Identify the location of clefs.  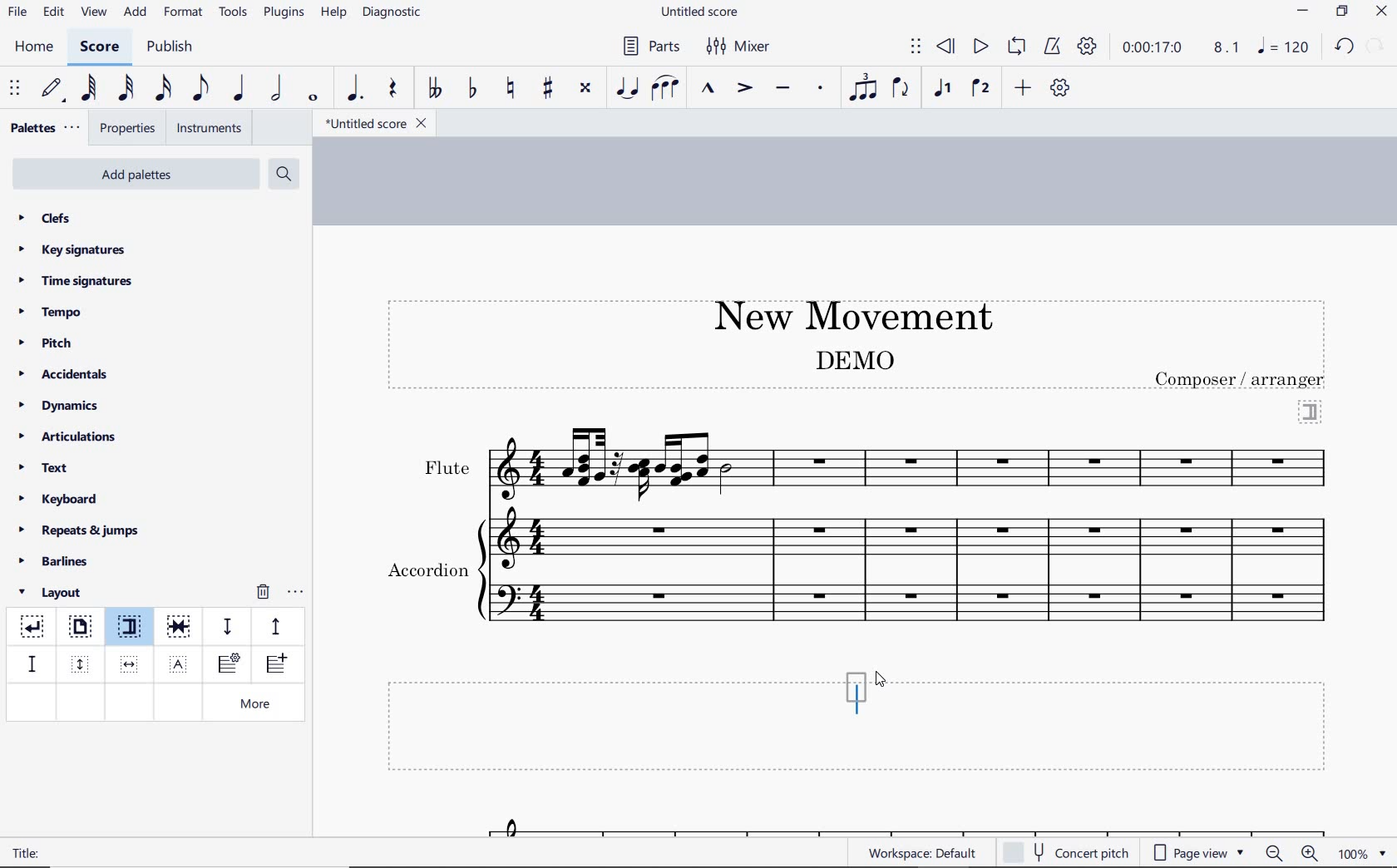
(46, 218).